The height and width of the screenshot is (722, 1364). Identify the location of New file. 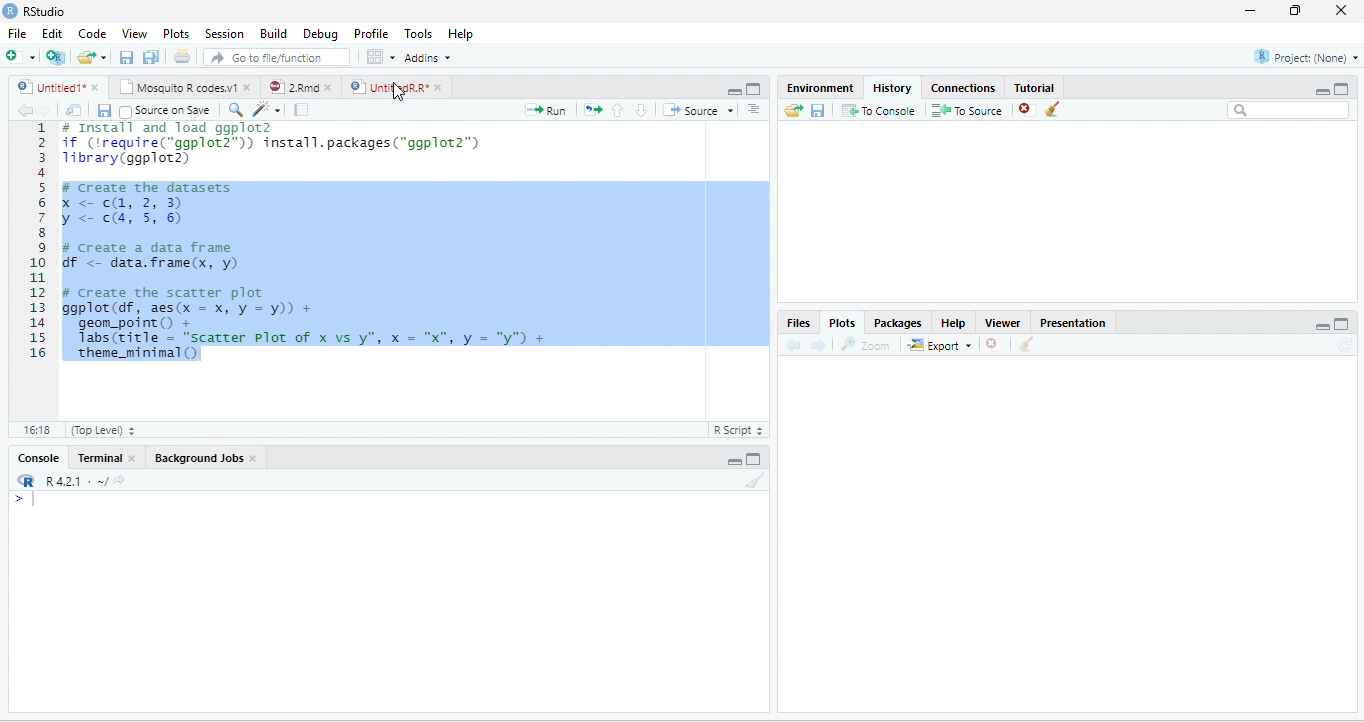
(21, 56).